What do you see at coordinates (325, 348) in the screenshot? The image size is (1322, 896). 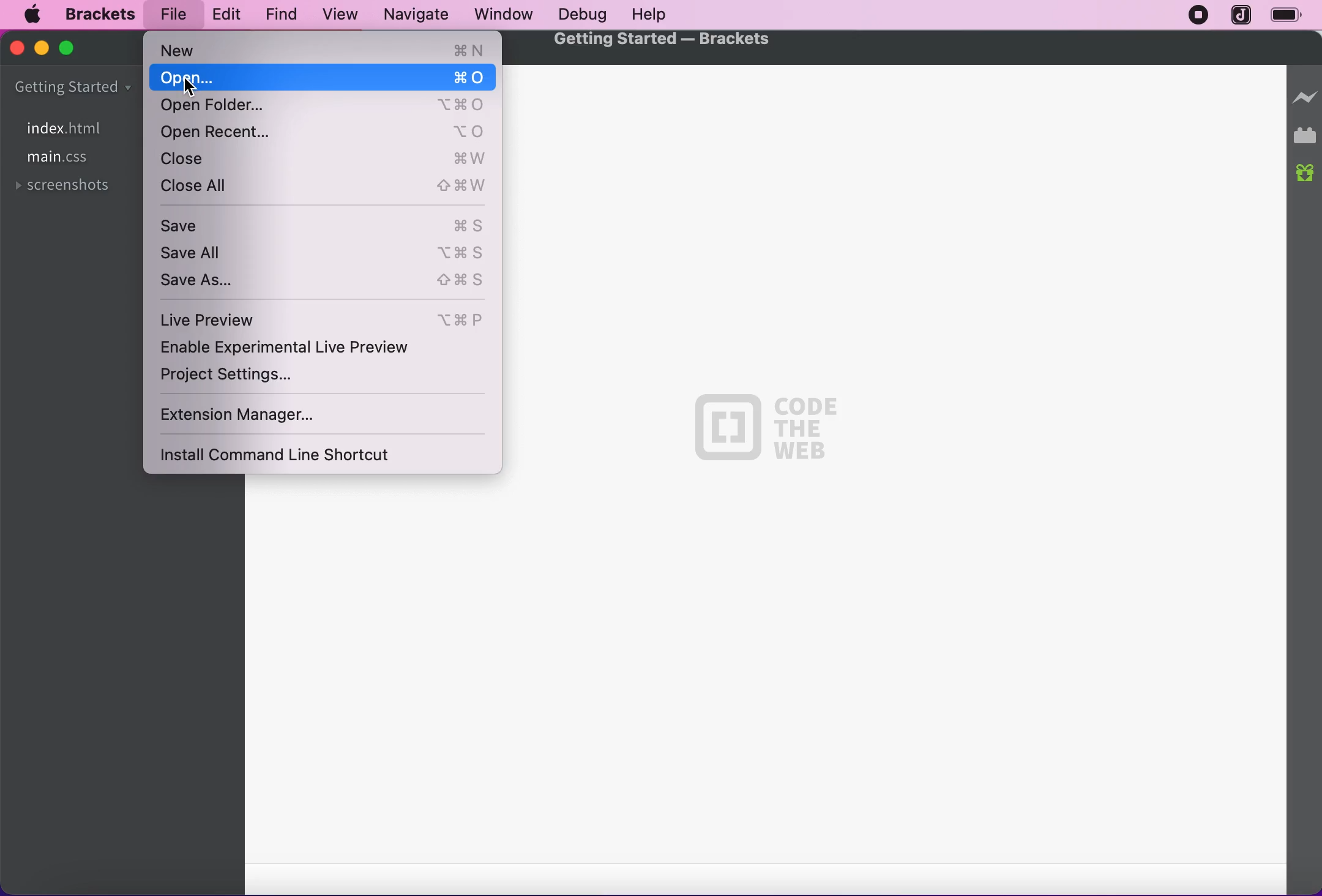 I see `enable experimental live preview` at bounding box center [325, 348].